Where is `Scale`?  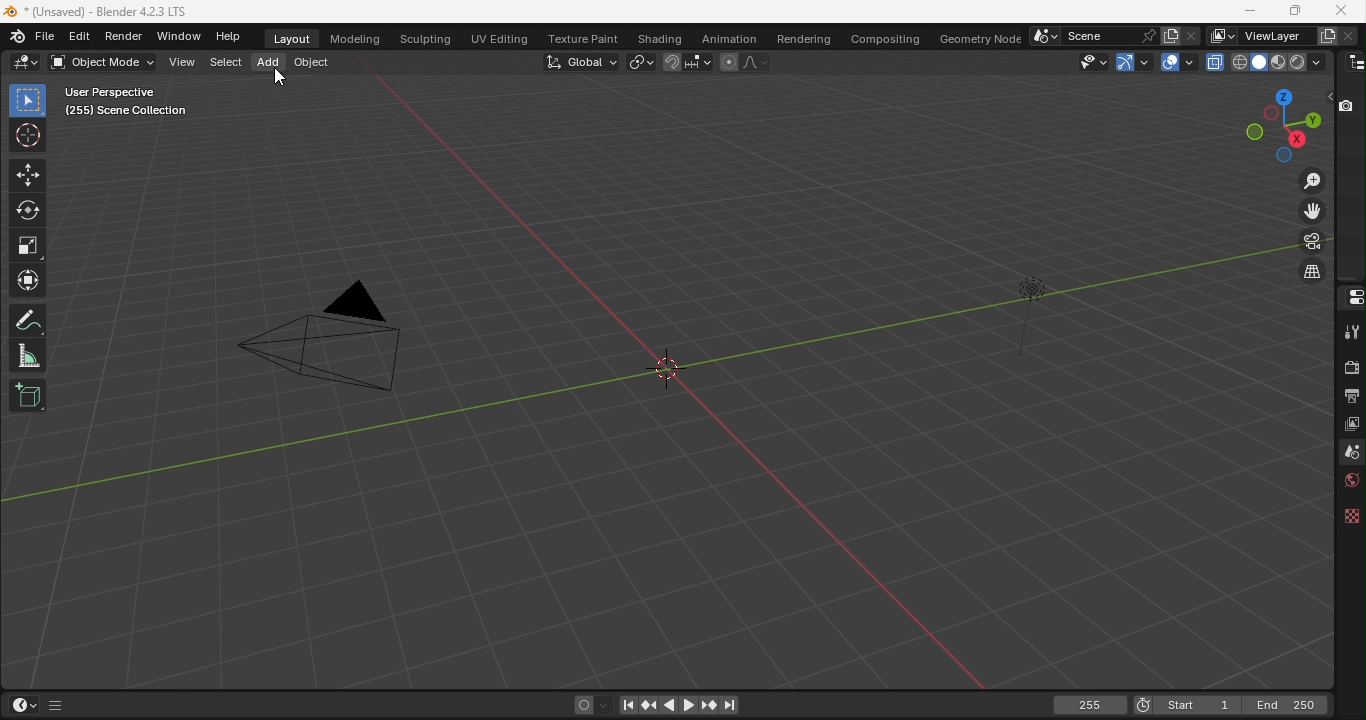 Scale is located at coordinates (30, 244).